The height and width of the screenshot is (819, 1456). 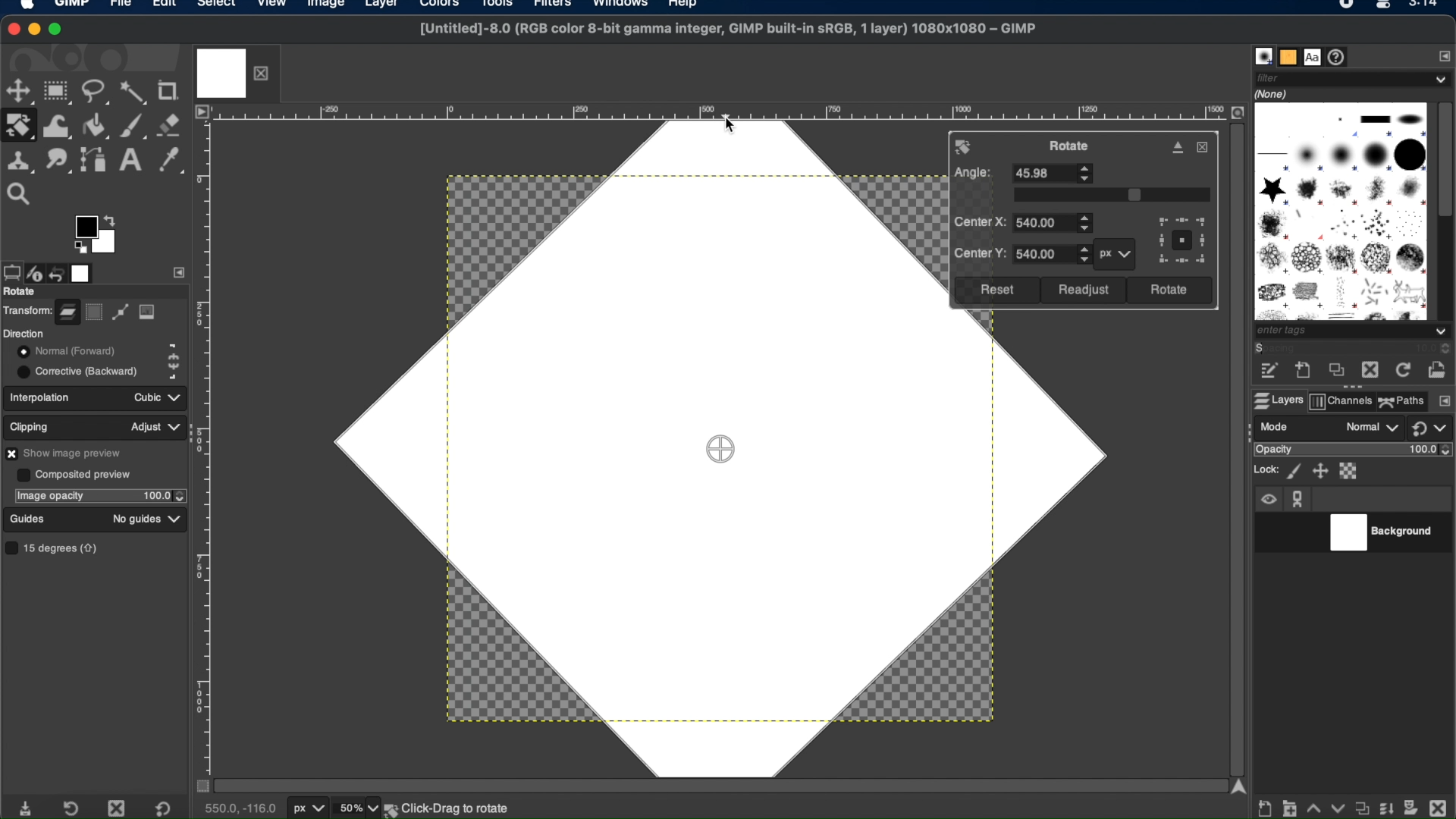 I want to click on opacity stepper buttons, so click(x=165, y=495).